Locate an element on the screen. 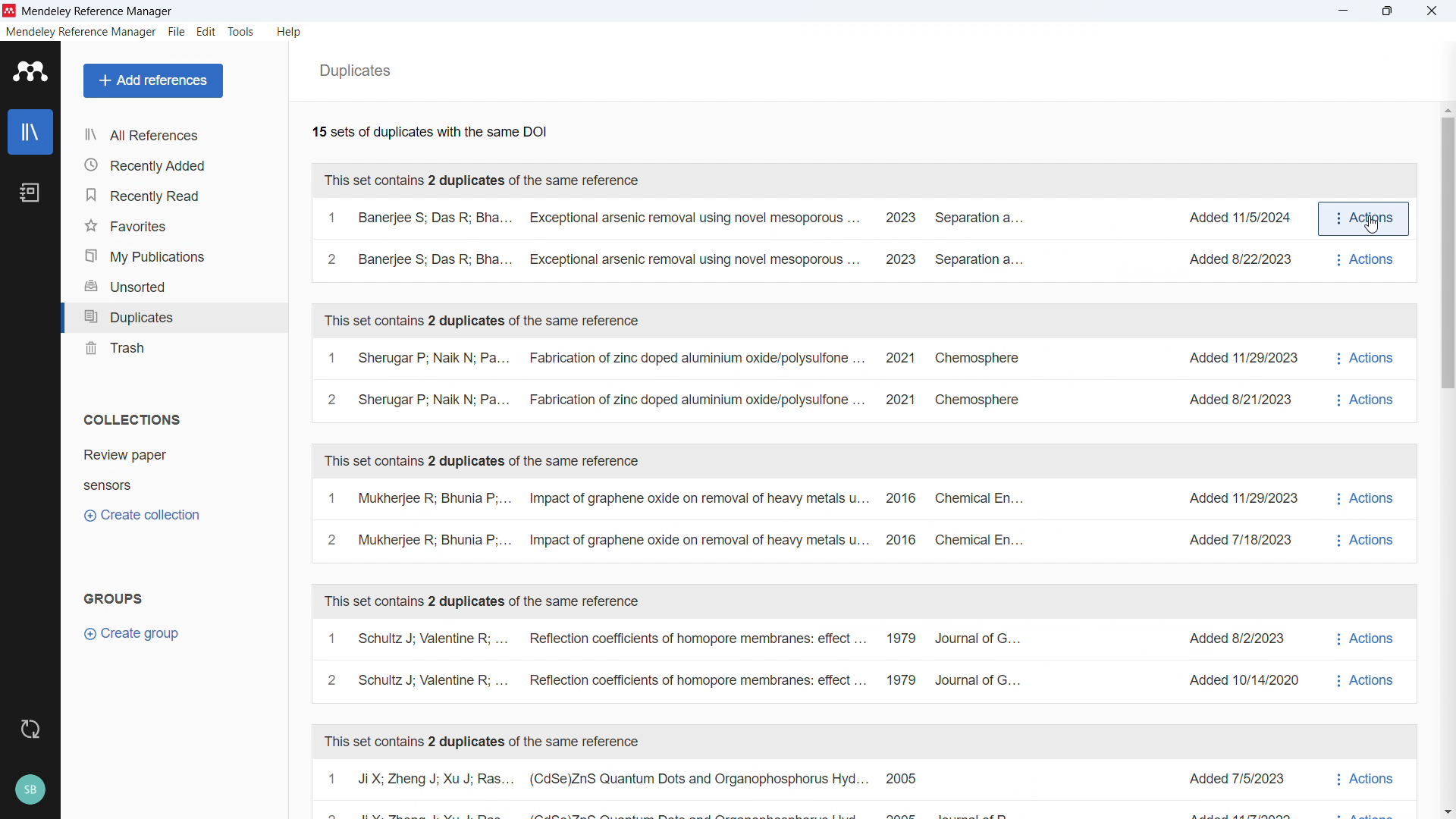 The width and height of the screenshot is (1456, 819). 1 Banerjee S; Das R; Bha... Exceptional arsenic removal using novel mesoporous ... ~~ 2023 Separation a... is located at coordinates (684, 218).